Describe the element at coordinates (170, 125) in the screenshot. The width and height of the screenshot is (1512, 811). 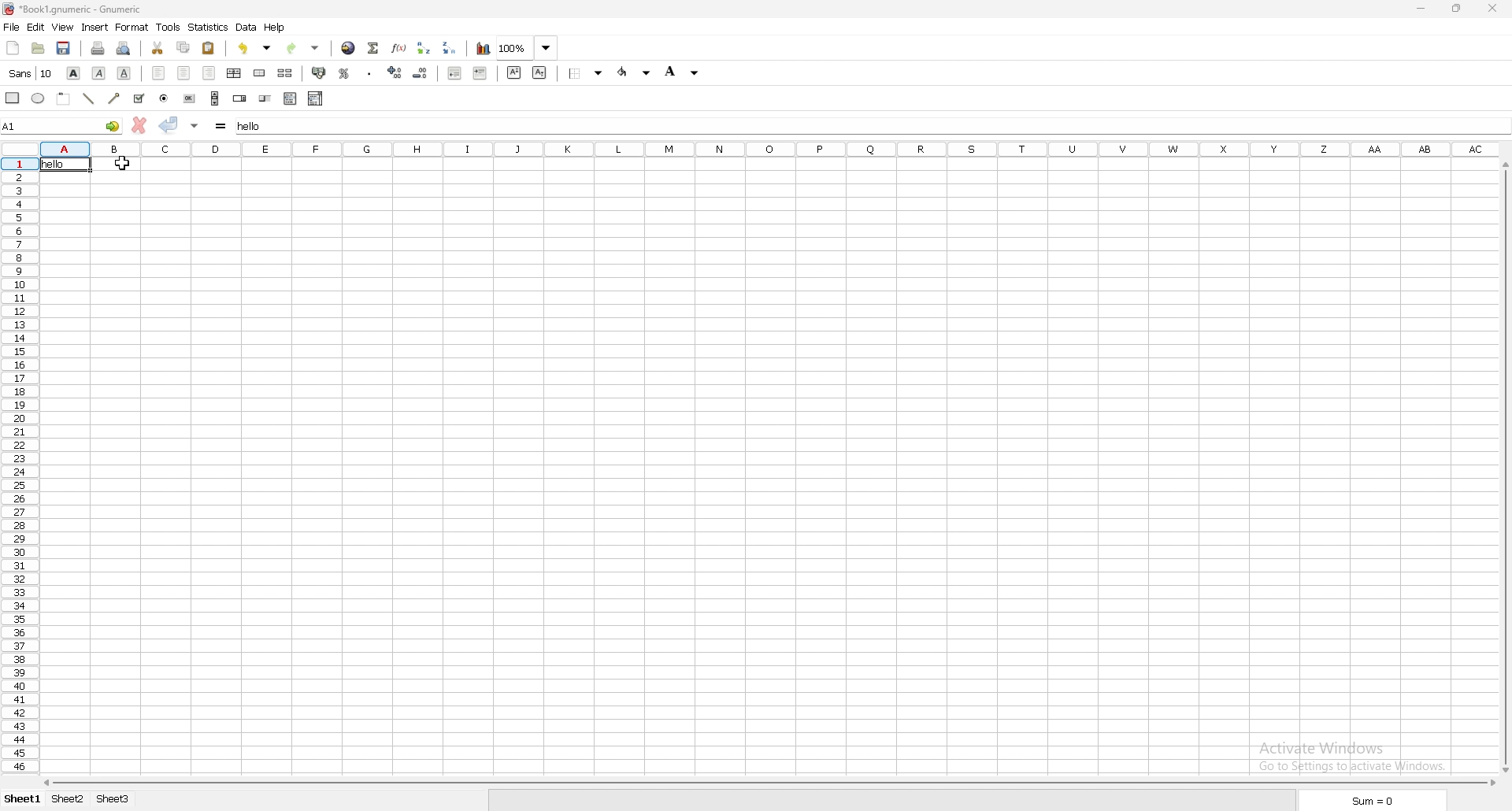
I see `accept change` at that location.